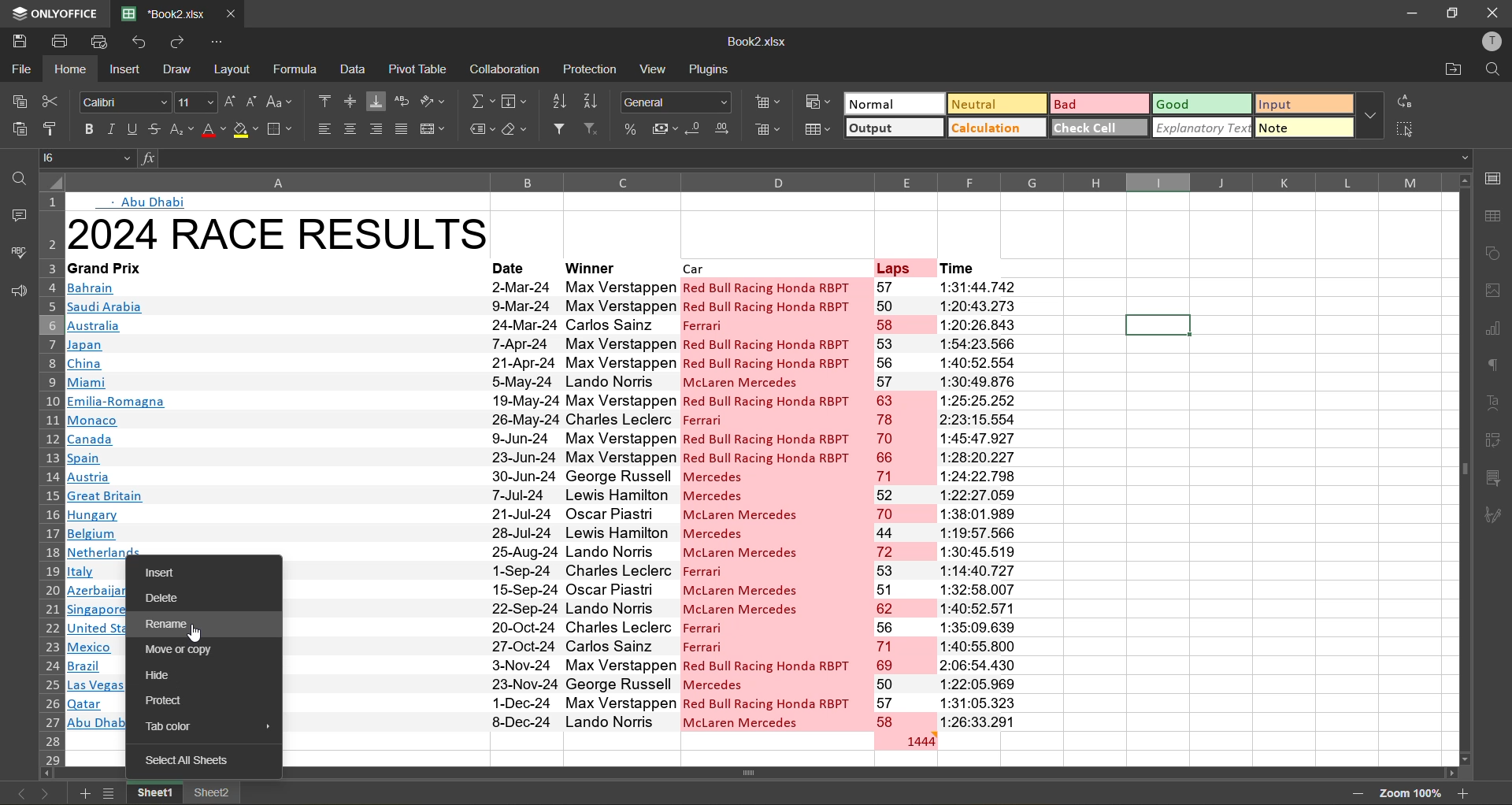 Image resolution: width=1512 pixels, height=805 pixels. I want to click on slicer, so click(1493, 477).